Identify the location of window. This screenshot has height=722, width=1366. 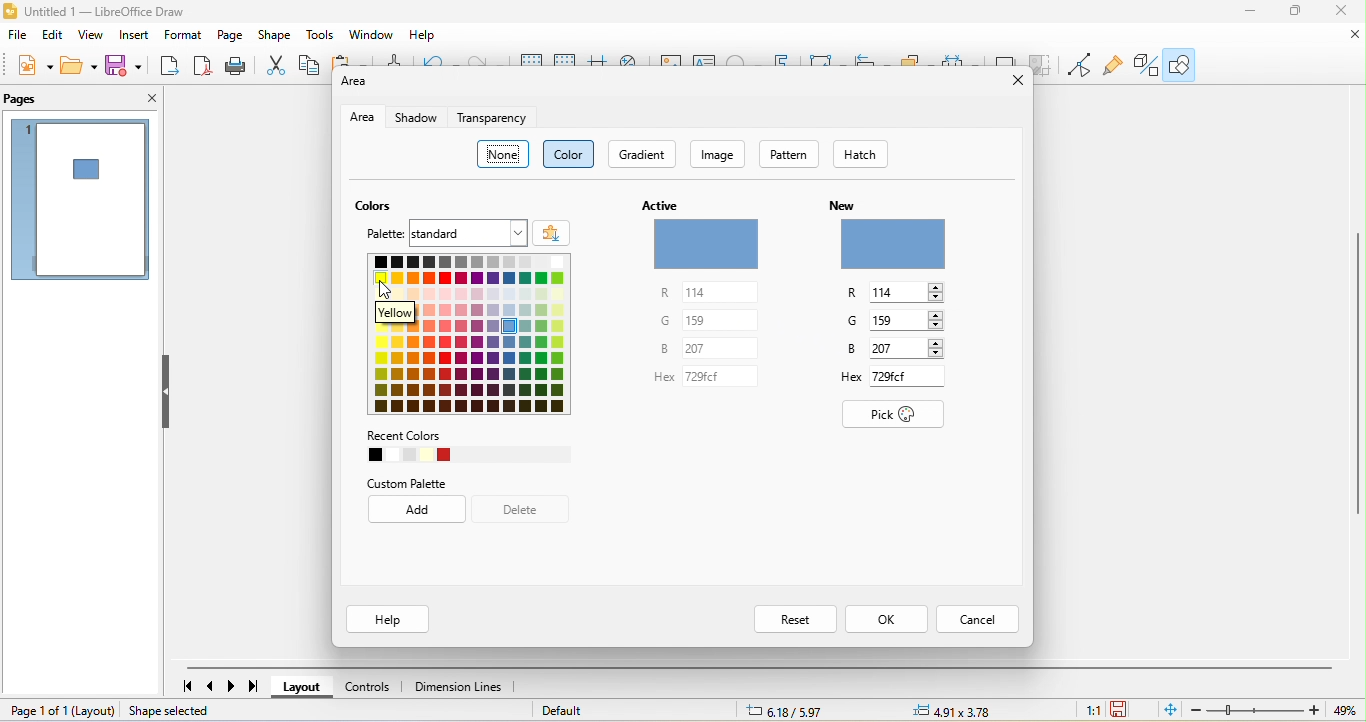
(372, 36).